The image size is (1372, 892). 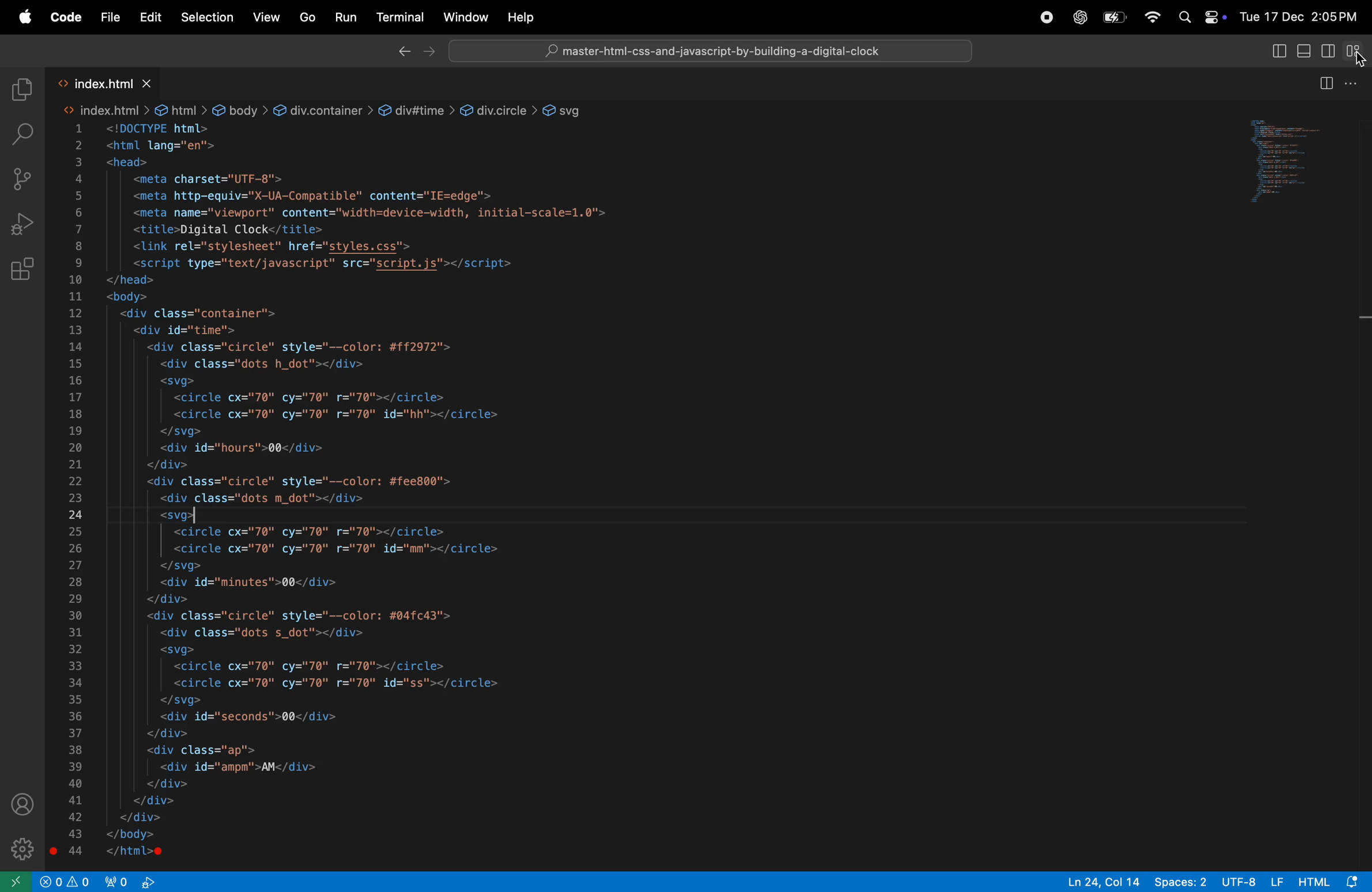 I want to click on space: 2, so click(x=1179, y=882).